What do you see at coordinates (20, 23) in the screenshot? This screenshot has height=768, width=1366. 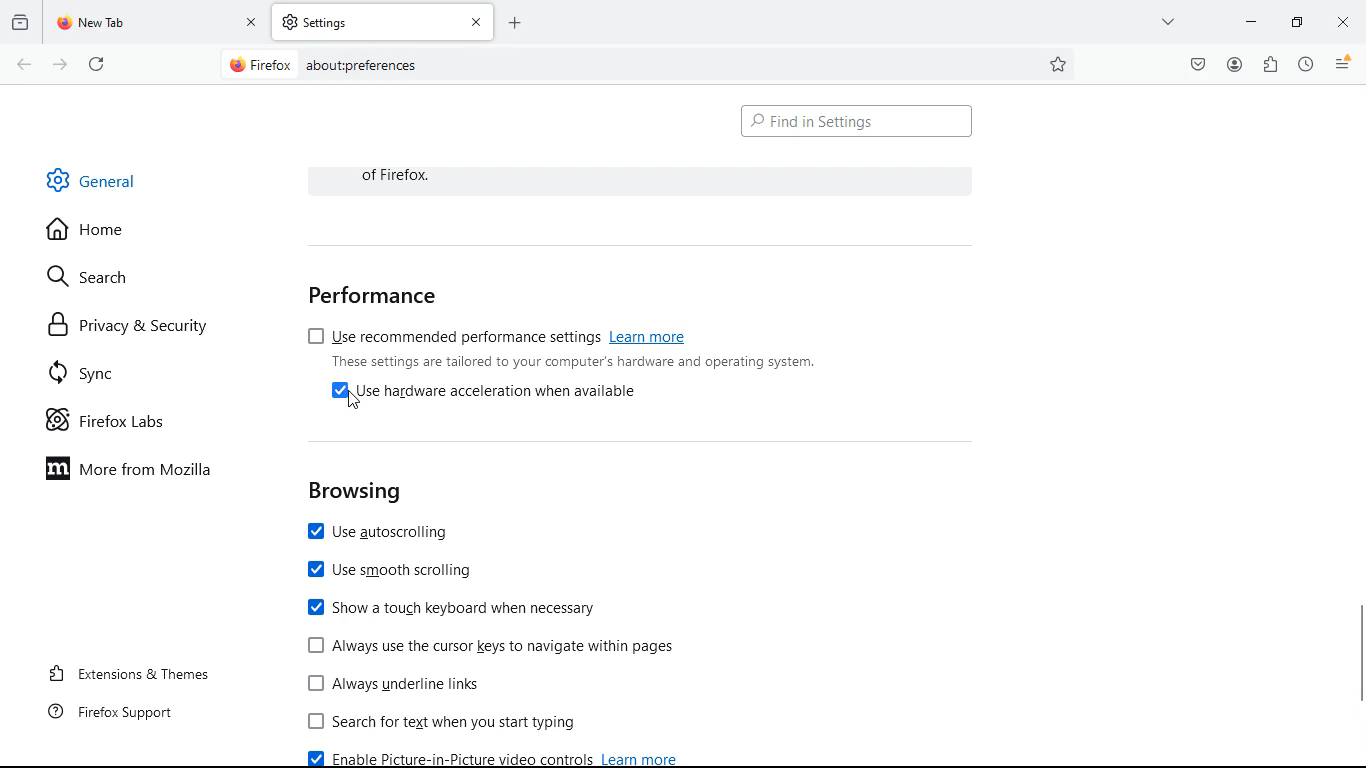 I see `history` at bounding box center [20, 23].